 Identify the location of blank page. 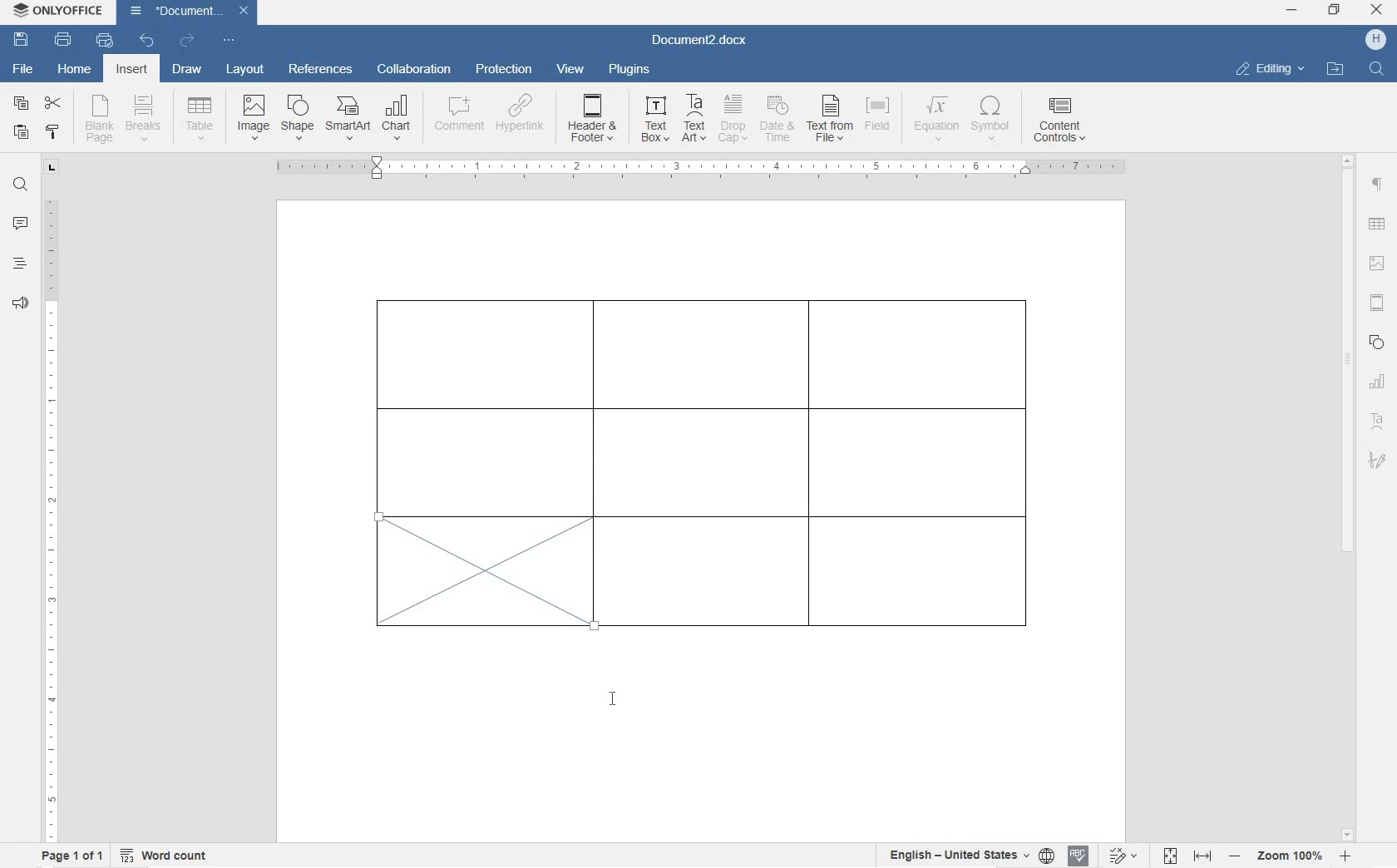
(97, 121).